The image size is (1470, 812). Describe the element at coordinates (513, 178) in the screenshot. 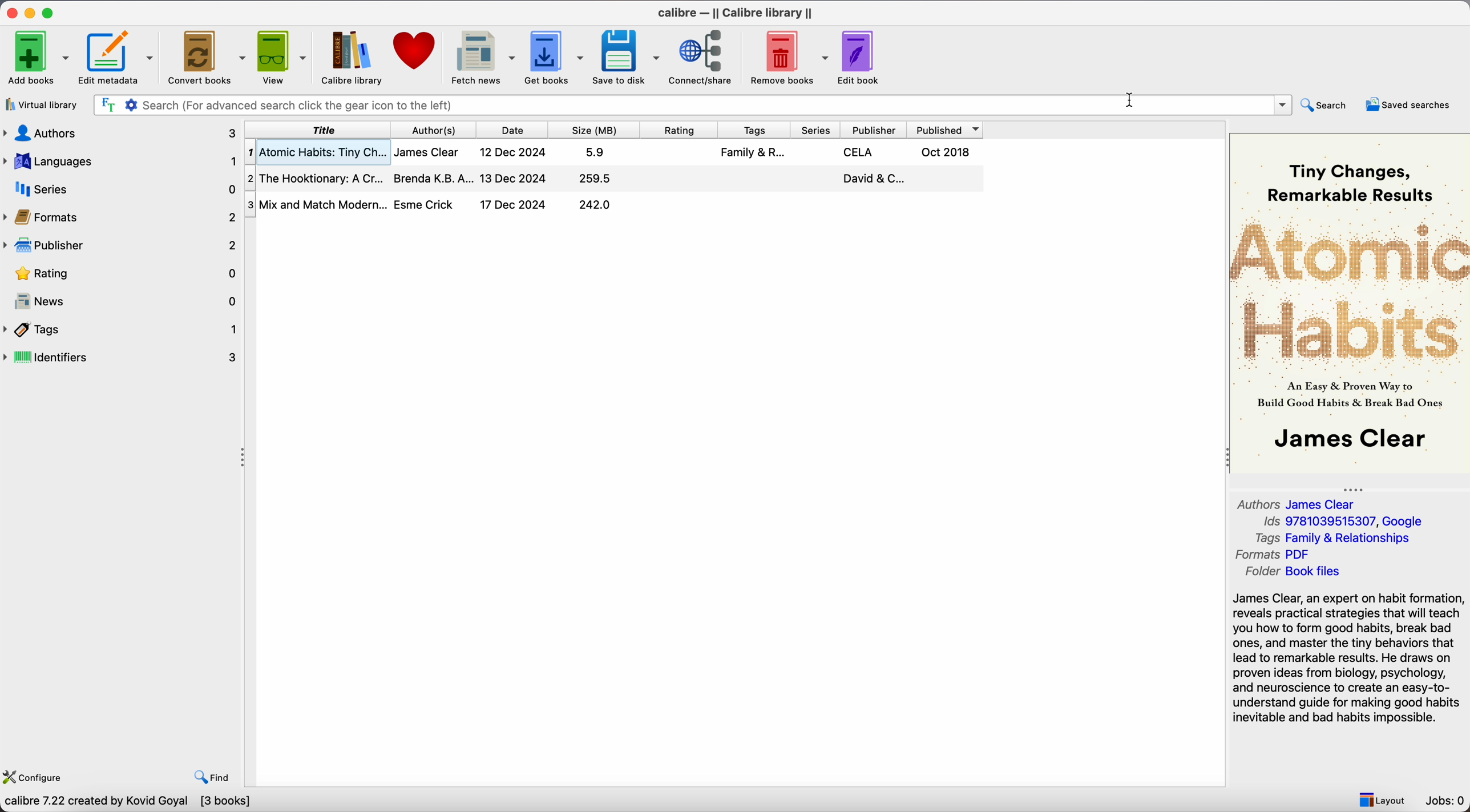

I see `13 Dec 2024` at that location.